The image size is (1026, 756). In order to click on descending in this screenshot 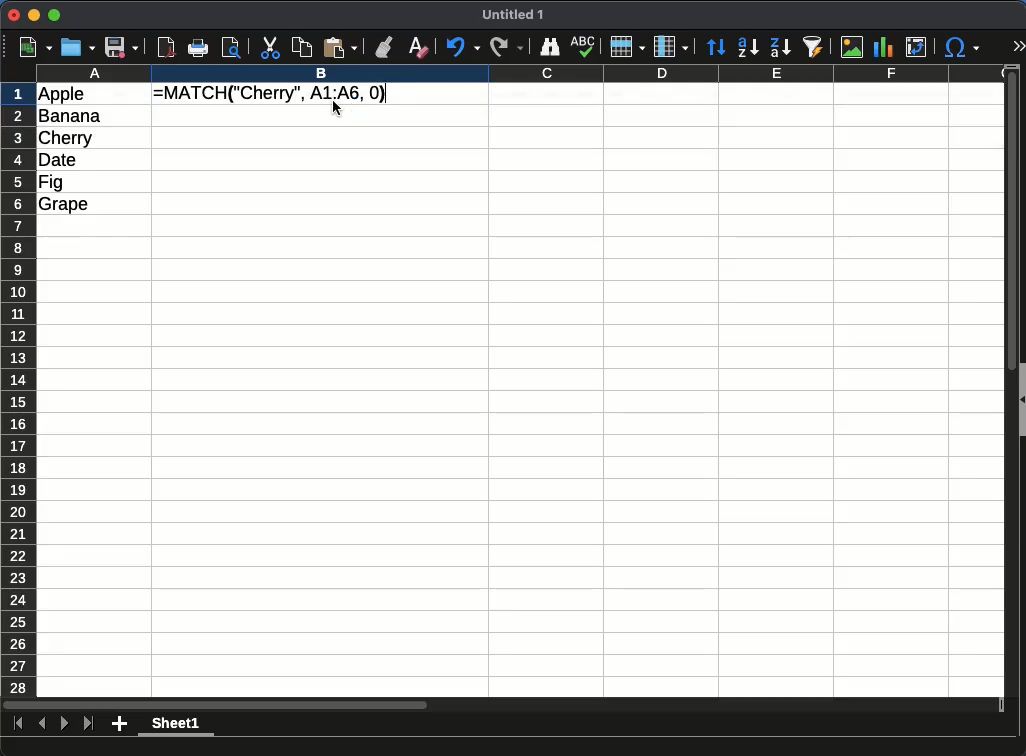, I will do `click(780, 47)`.